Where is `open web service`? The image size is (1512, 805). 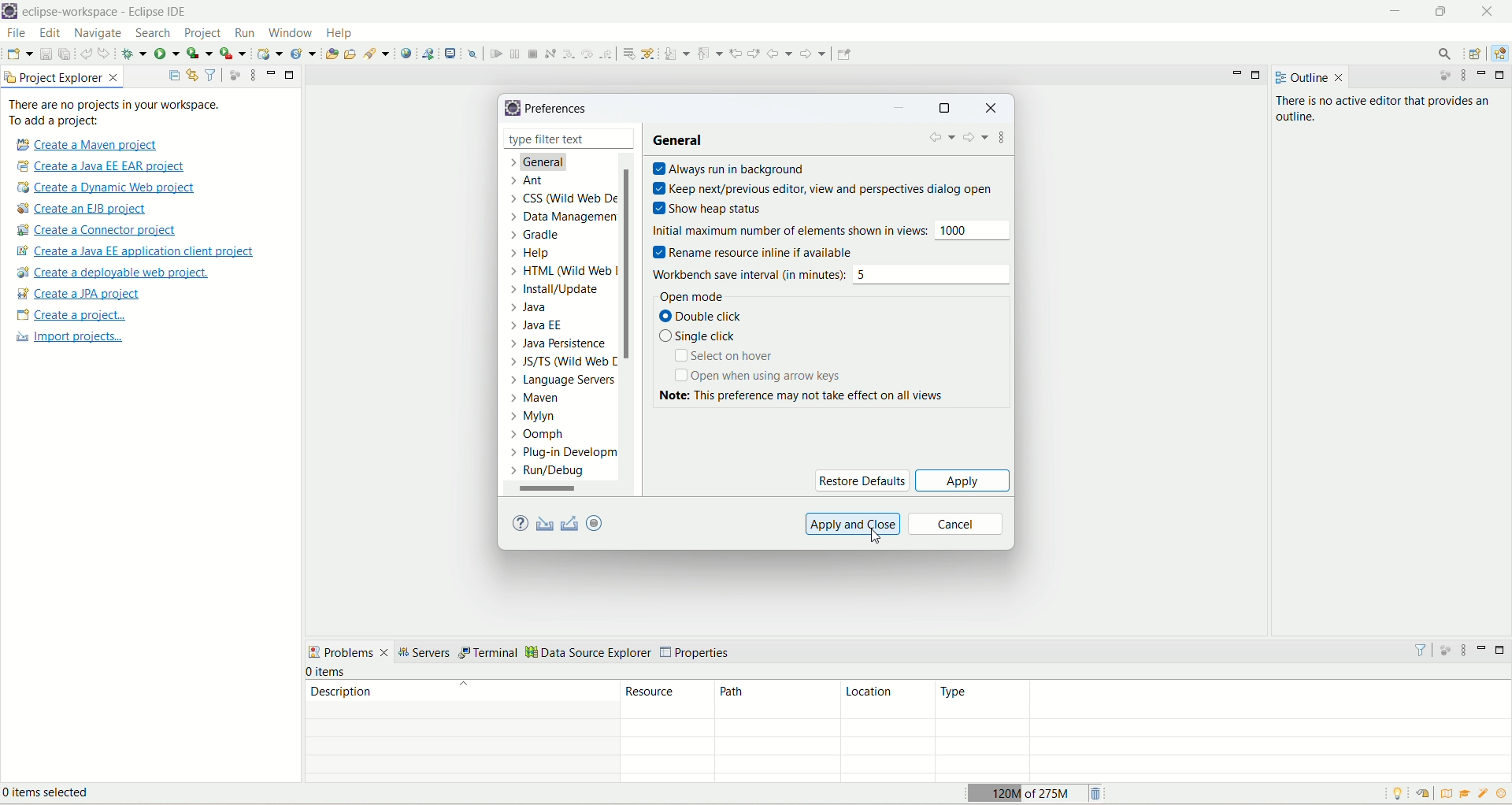 open web service is located at coordinates (406, 54).